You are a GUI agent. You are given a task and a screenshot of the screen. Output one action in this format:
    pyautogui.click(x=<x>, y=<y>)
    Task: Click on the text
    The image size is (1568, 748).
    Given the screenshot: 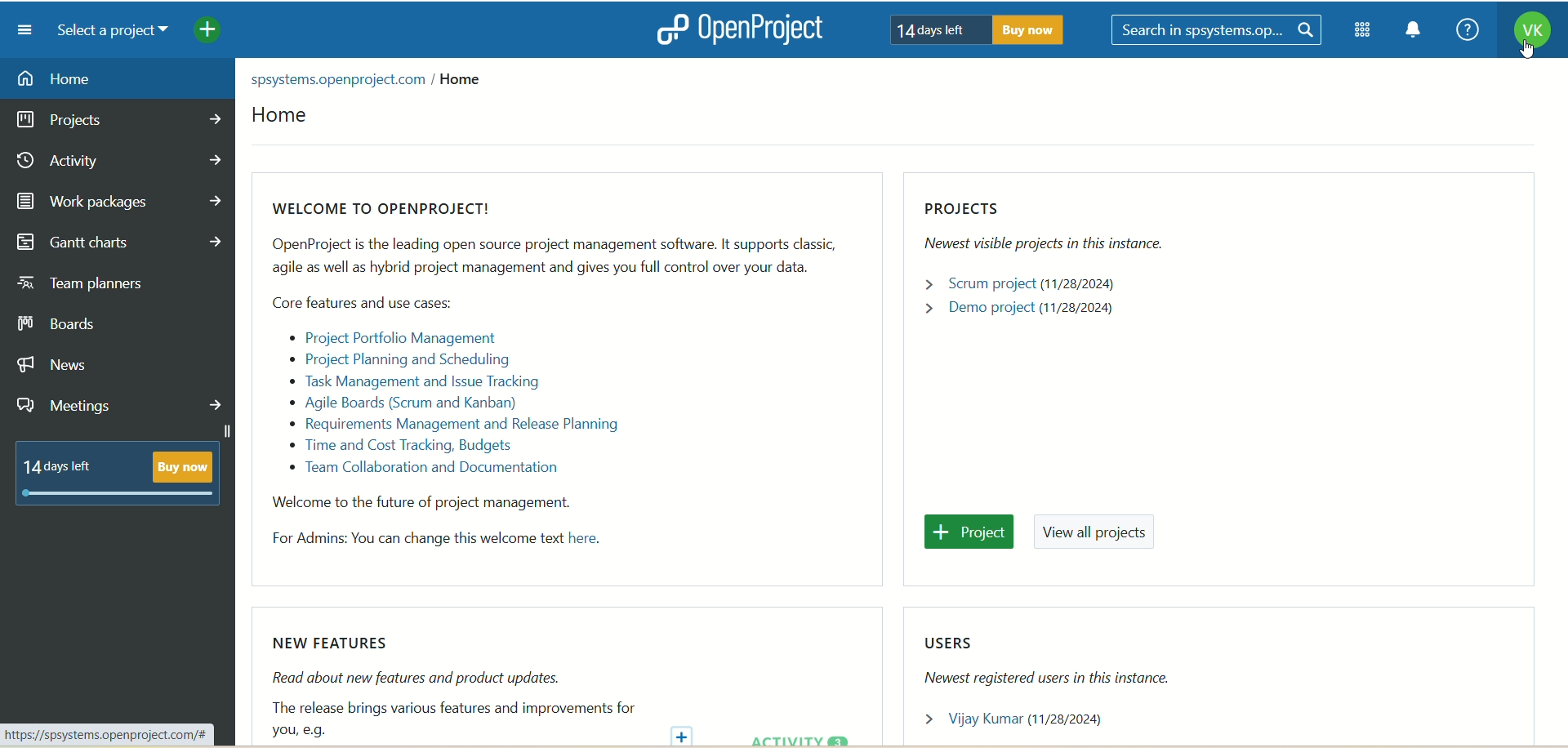 What is the action you would take?
    pyautogui.click(x=1071, y=661)
    